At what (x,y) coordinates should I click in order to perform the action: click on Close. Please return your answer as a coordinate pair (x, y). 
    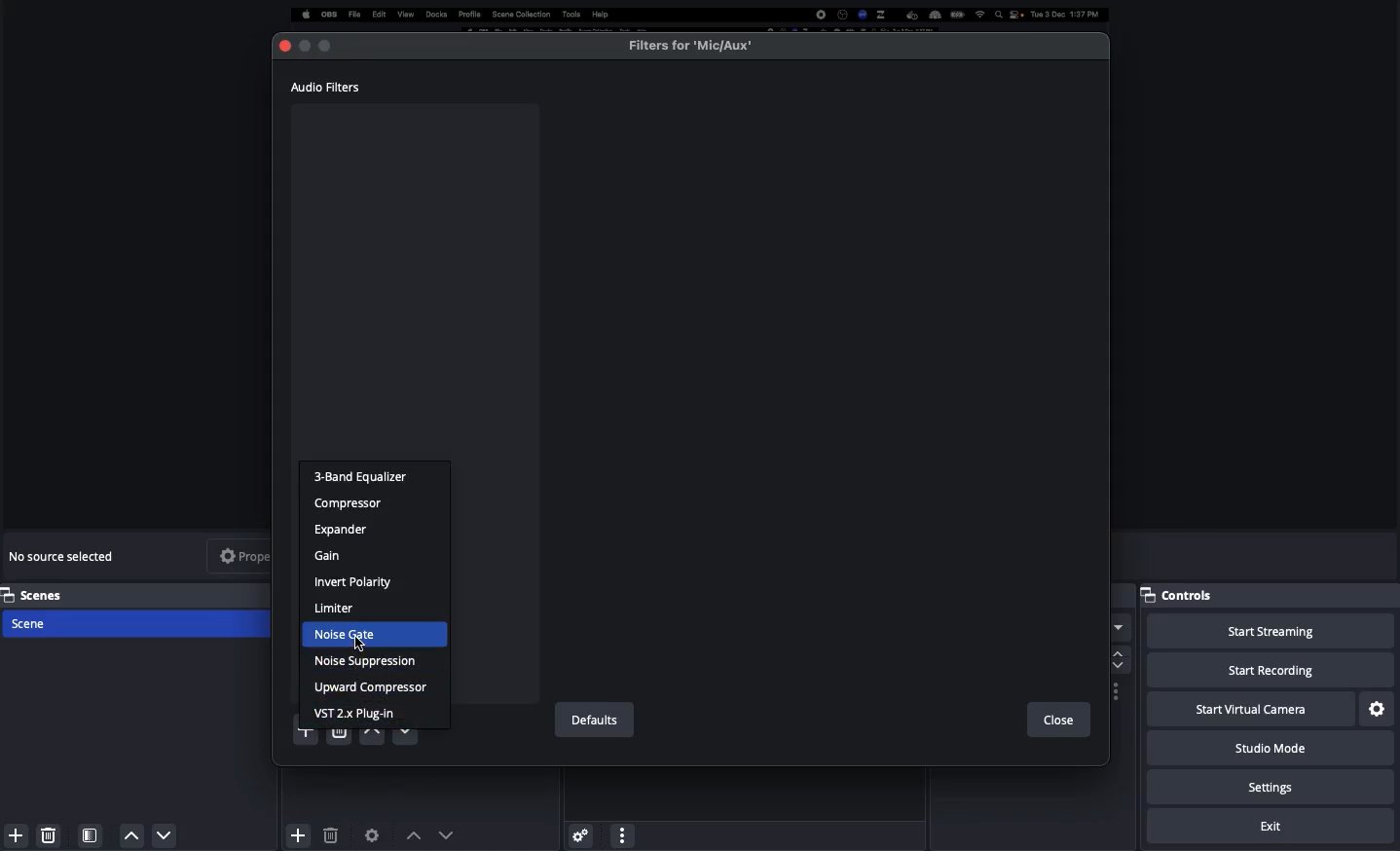
    Looking at the image, I should click on (1057, 721).